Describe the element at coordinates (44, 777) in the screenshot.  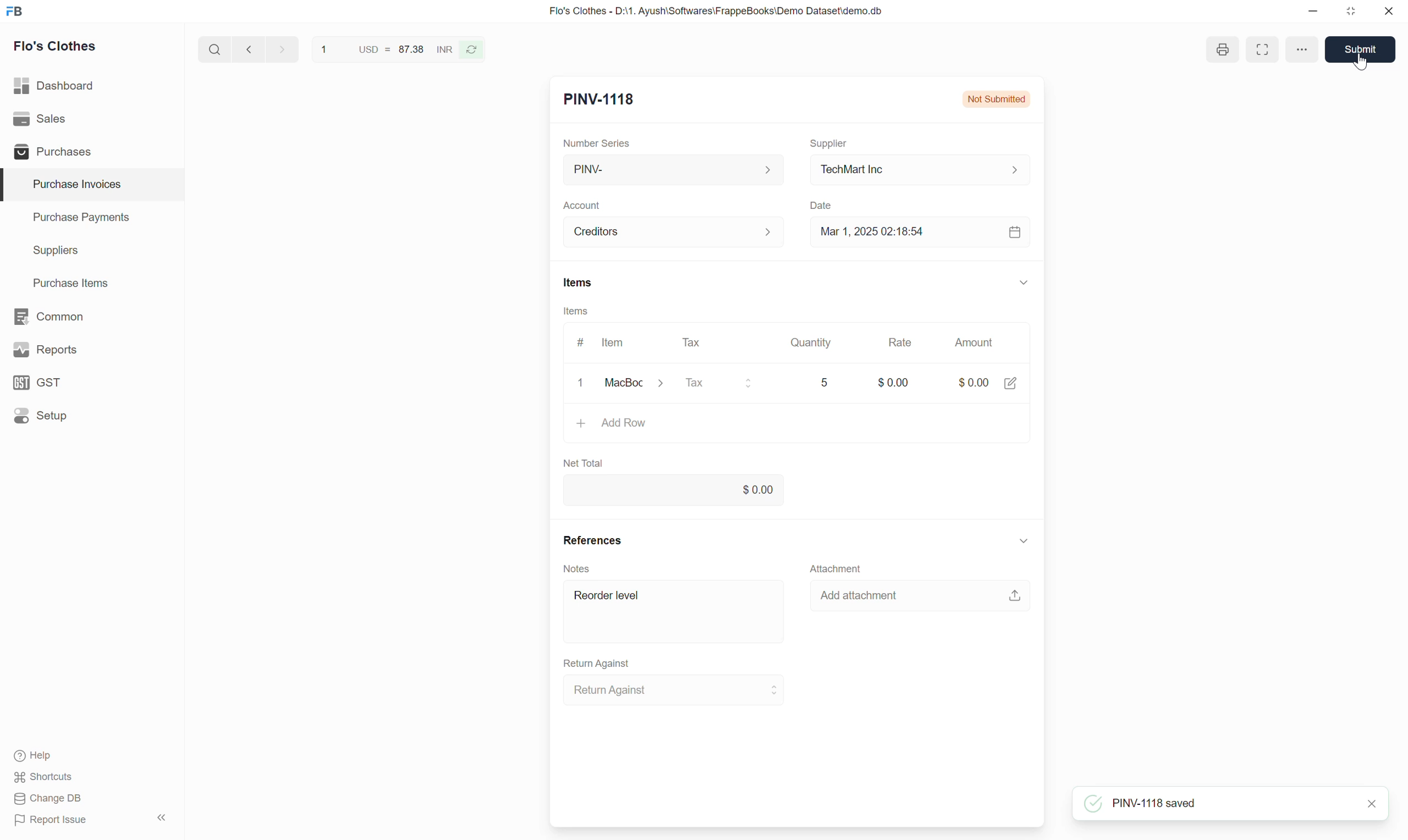
I see `Shortcuts` at that location.